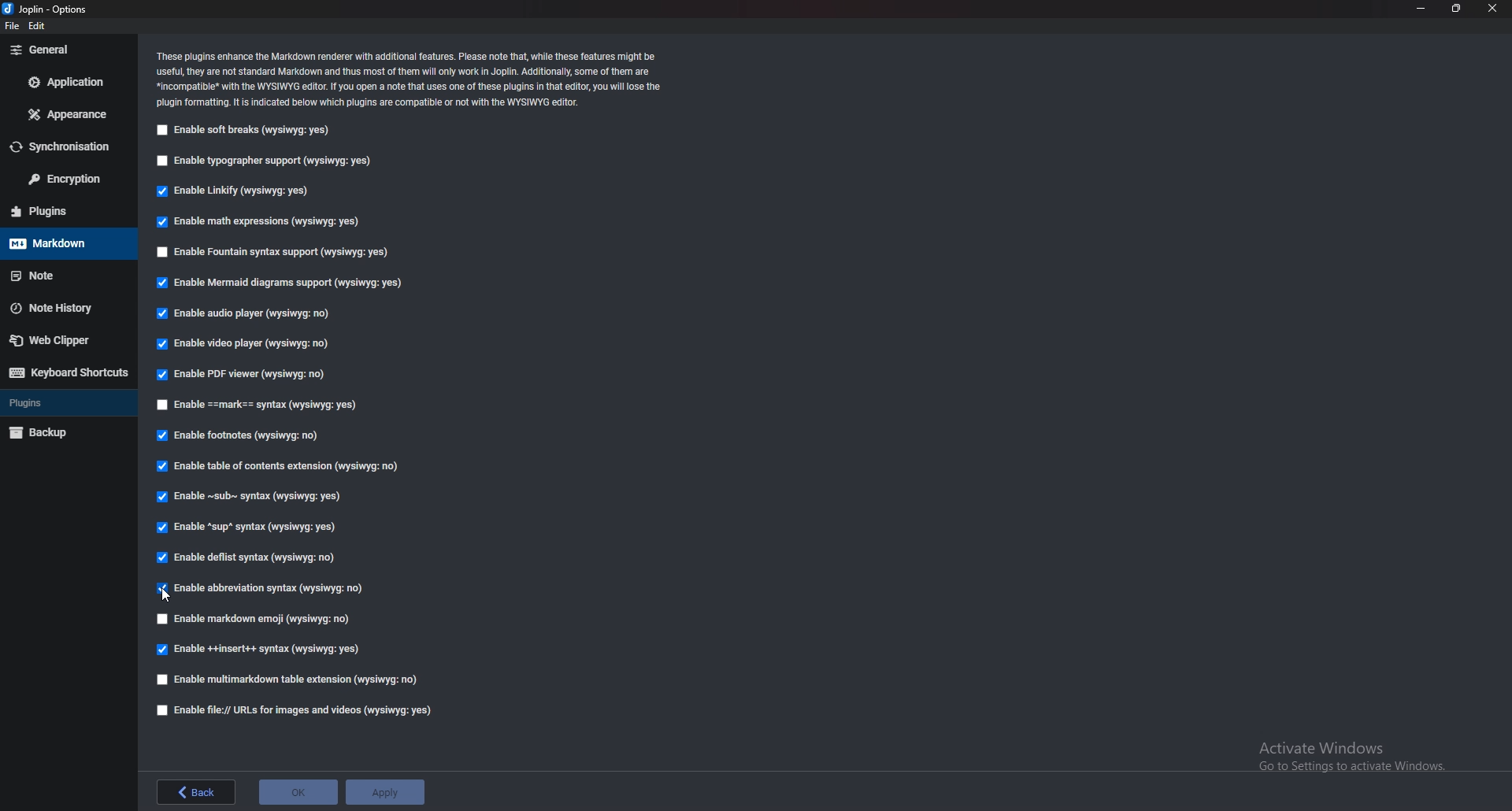 The width and height of the screenshot is (1512, 811). I want to click on Enable file urls for images and videos, so click(296, 710).